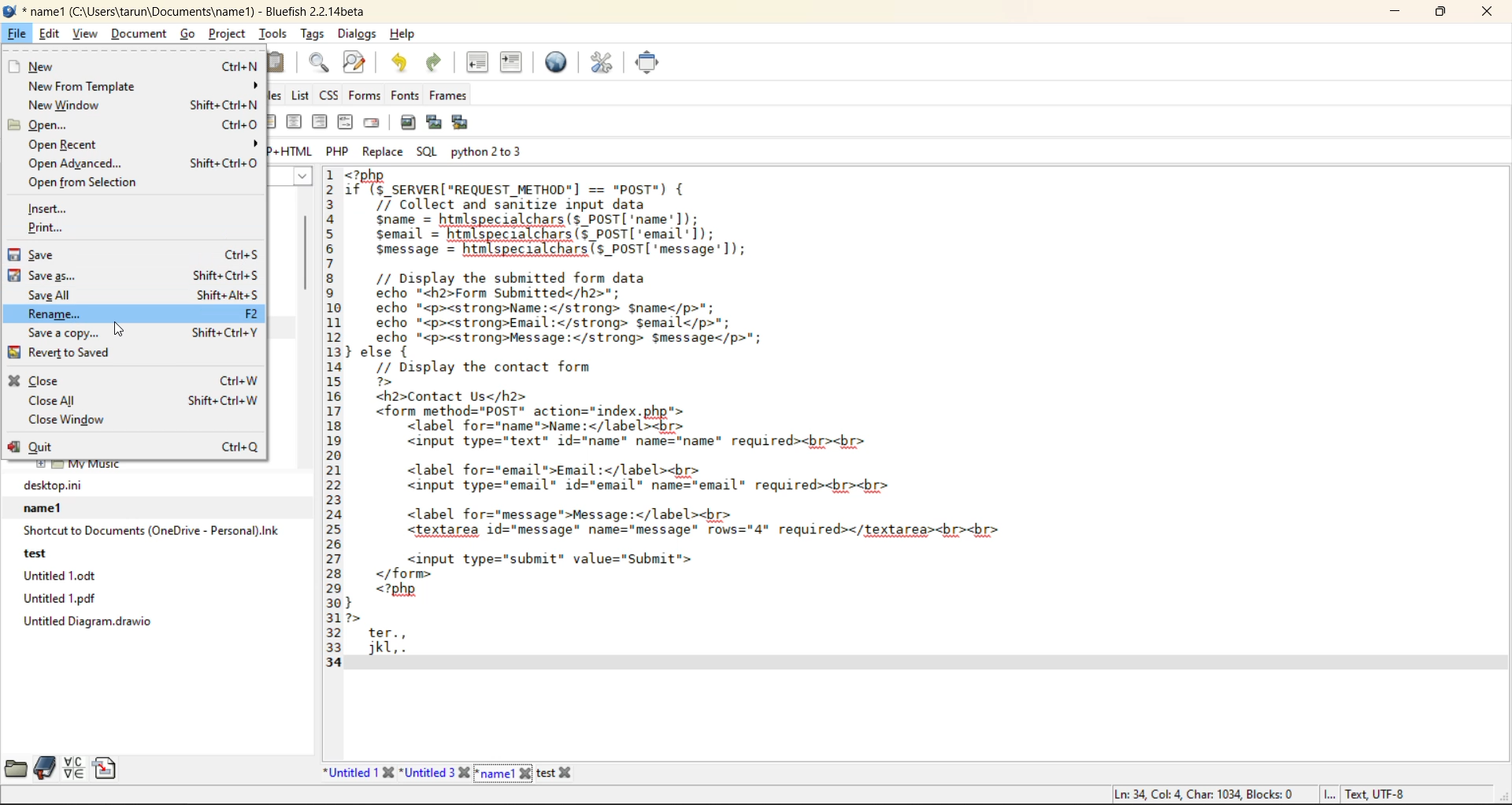 The width and height of the screenshot is (1512, 805). Describe the element at coordinates (560, 61) in the screenshot. I see `preview in browser` at that location.